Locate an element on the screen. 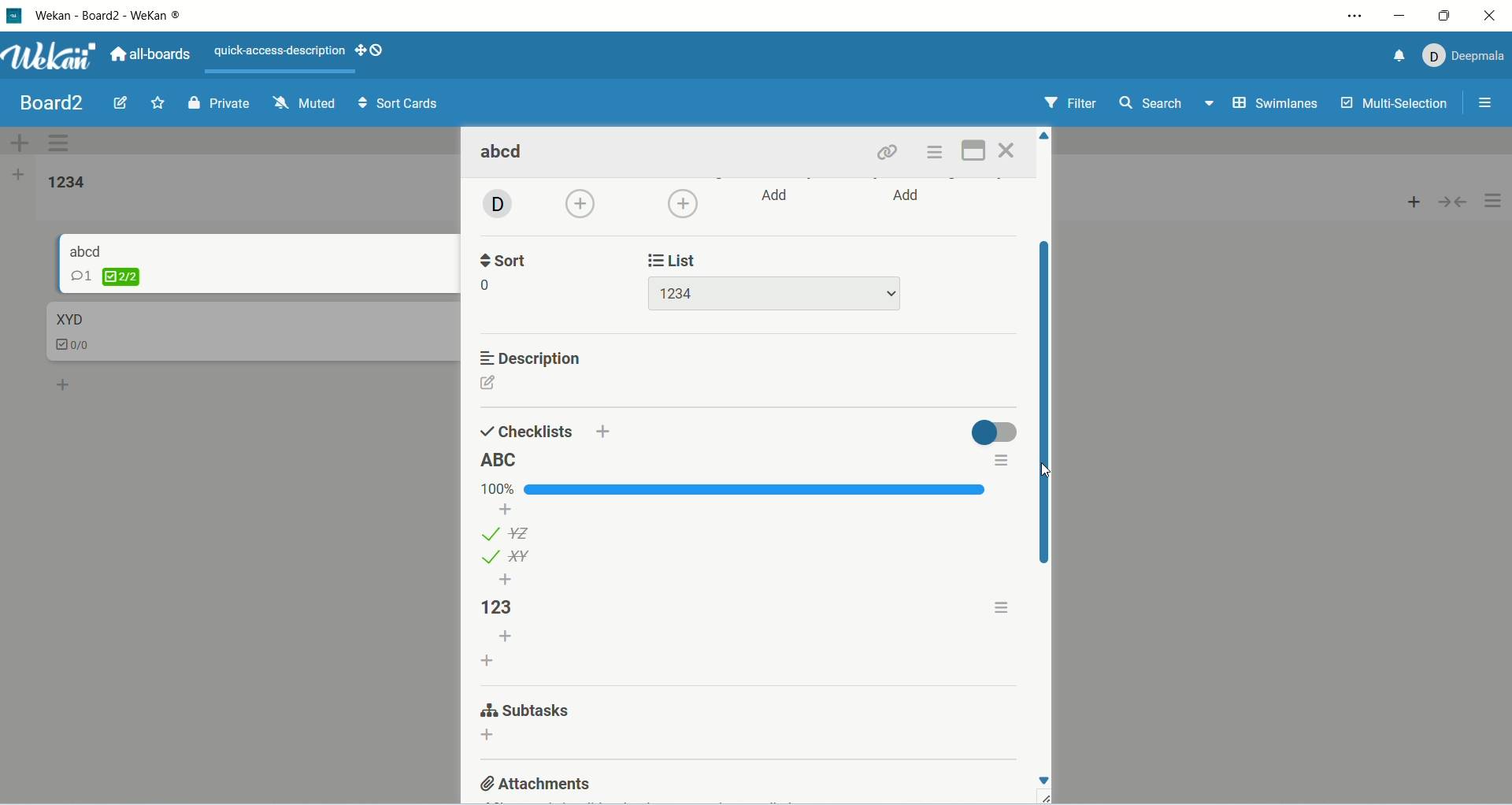 This screenshot has width=1512, height=805. close is located at coordinates (1483, 17).